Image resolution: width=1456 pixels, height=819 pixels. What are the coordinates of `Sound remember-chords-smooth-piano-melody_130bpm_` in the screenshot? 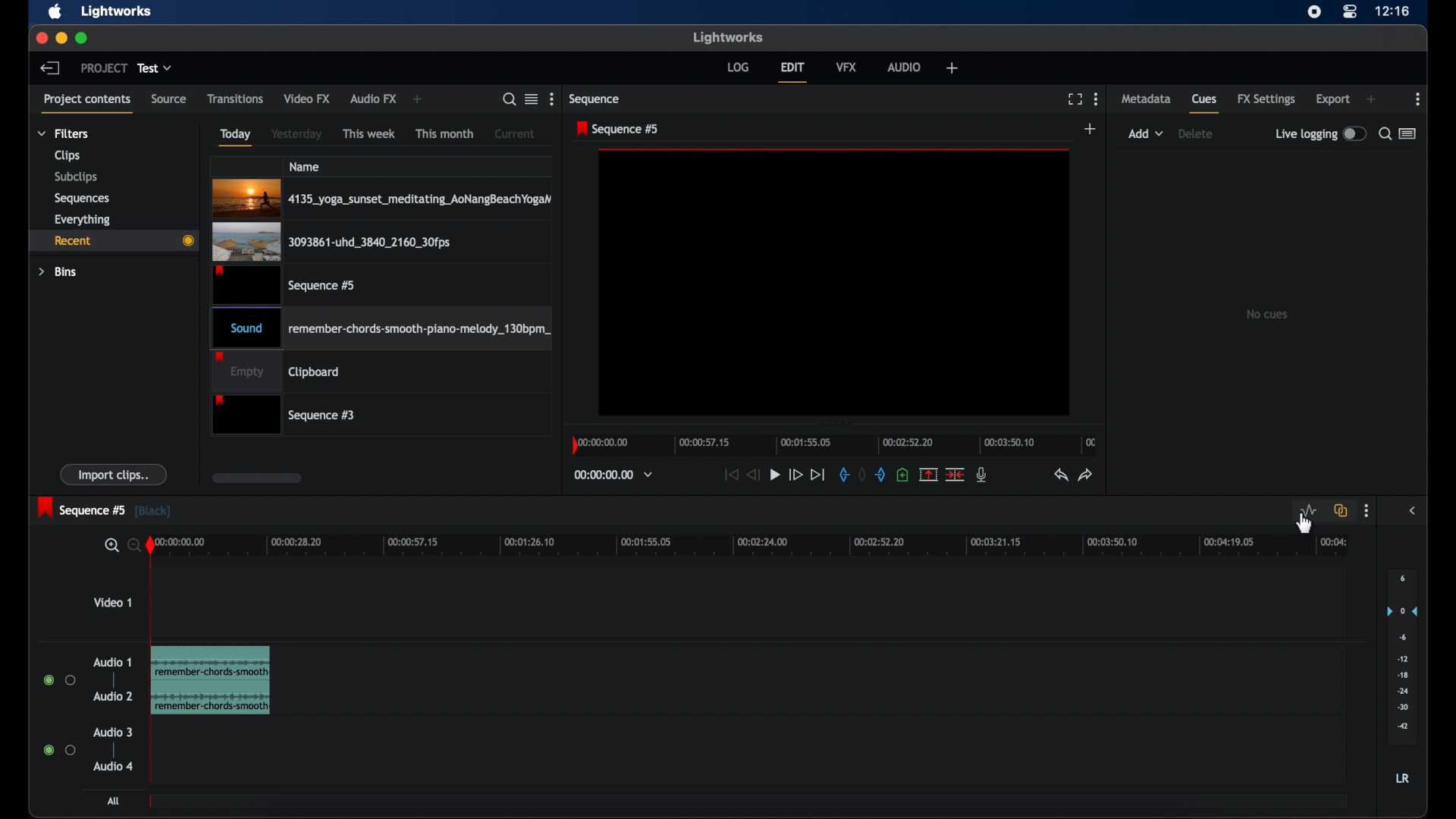 It's located at (387, 326).